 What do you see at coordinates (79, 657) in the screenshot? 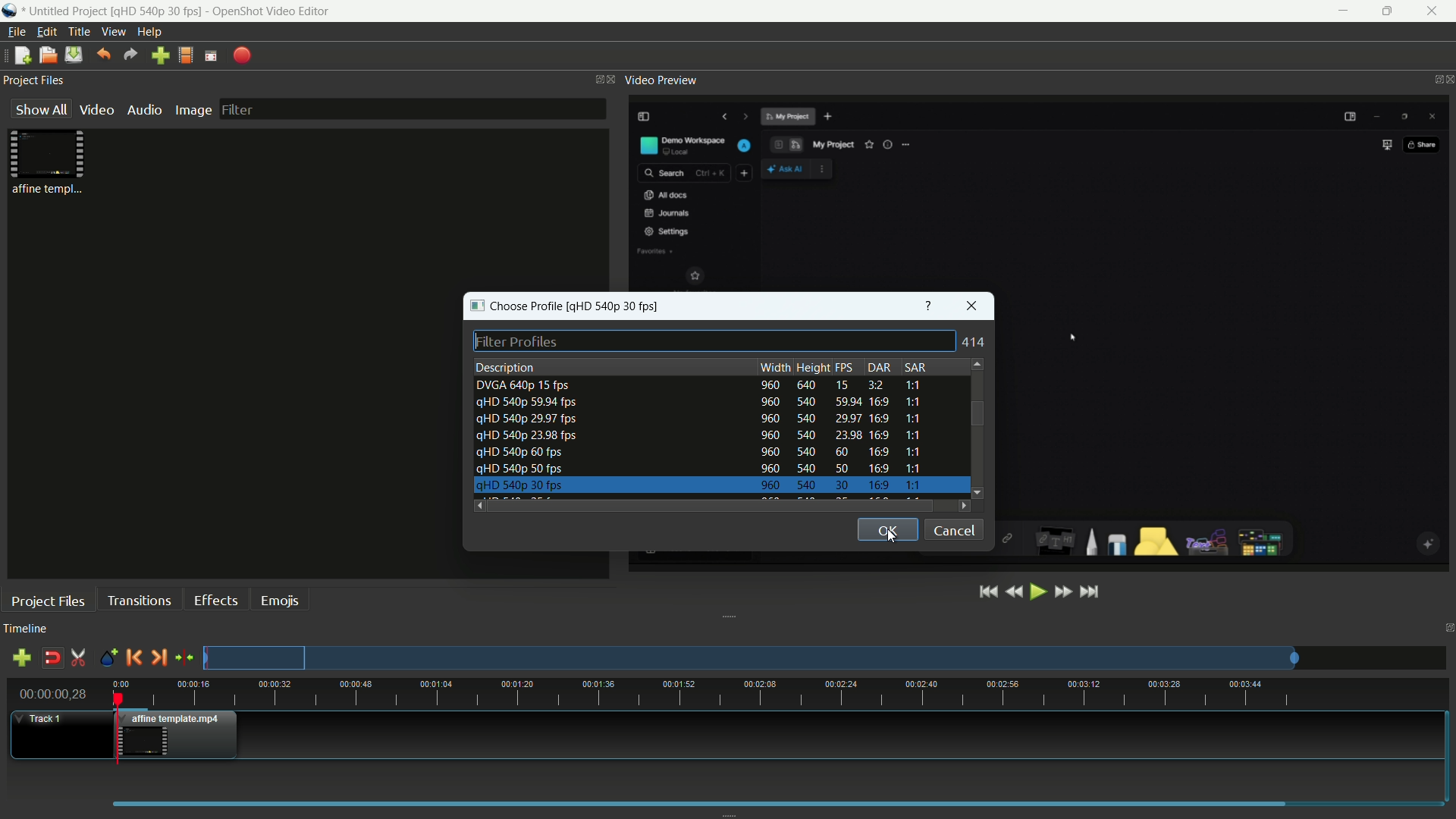
I see `enable razor` at bounding box center [79, 657].